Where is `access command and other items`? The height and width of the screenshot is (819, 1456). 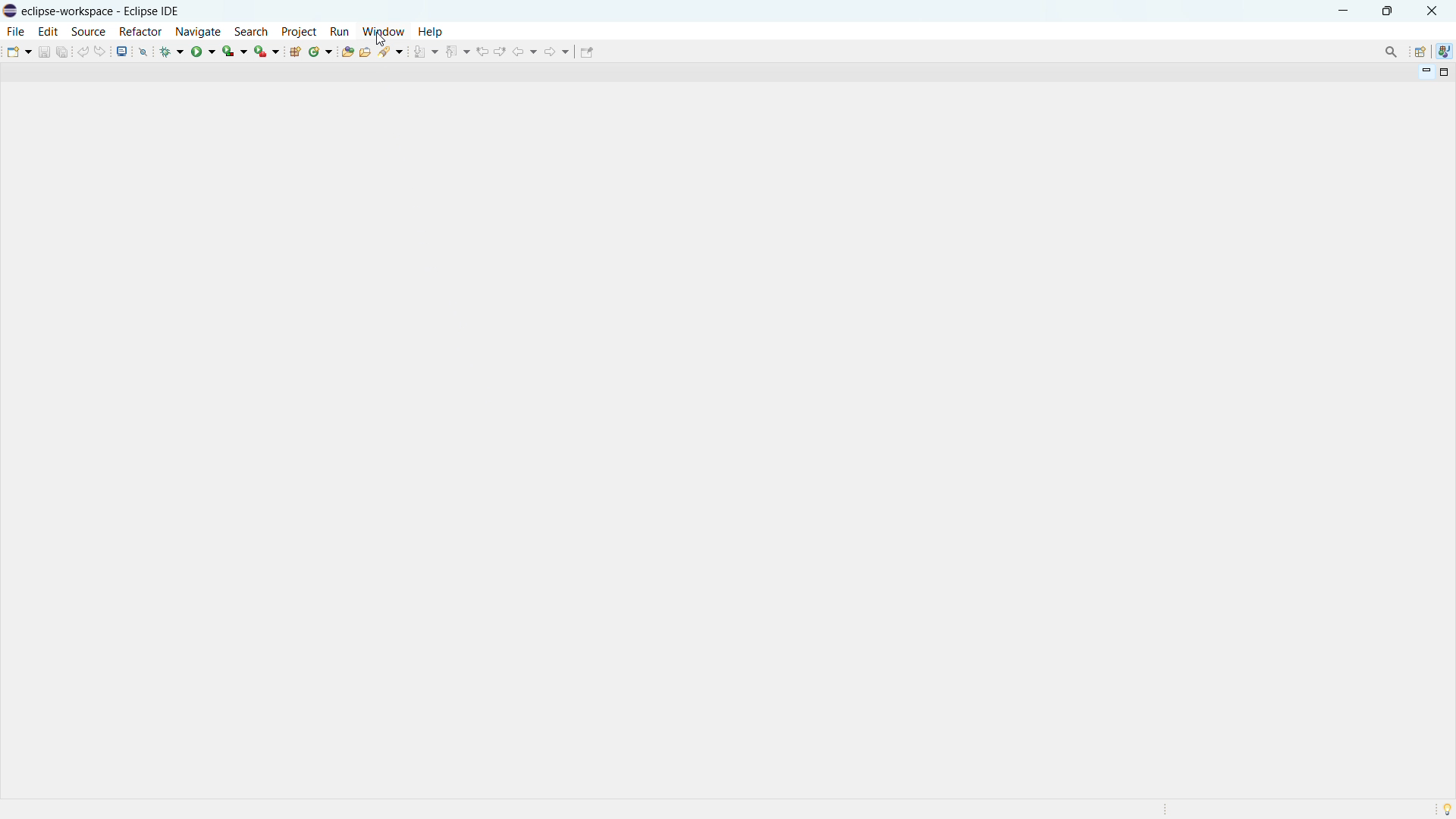 access command and other items is located at coordinates (1391, 51).